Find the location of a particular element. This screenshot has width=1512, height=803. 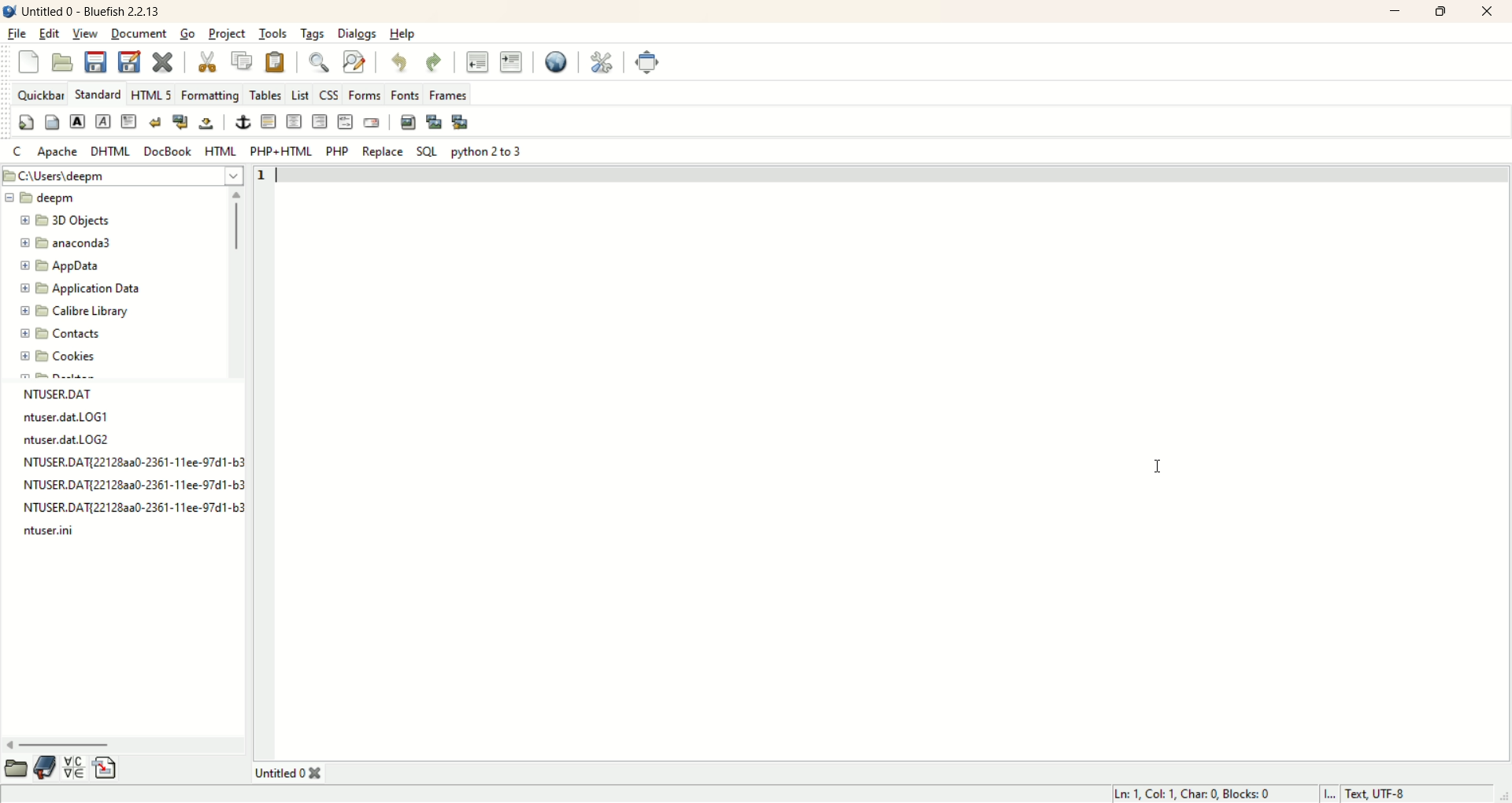

DHTML is located at coordinates (109, 151).